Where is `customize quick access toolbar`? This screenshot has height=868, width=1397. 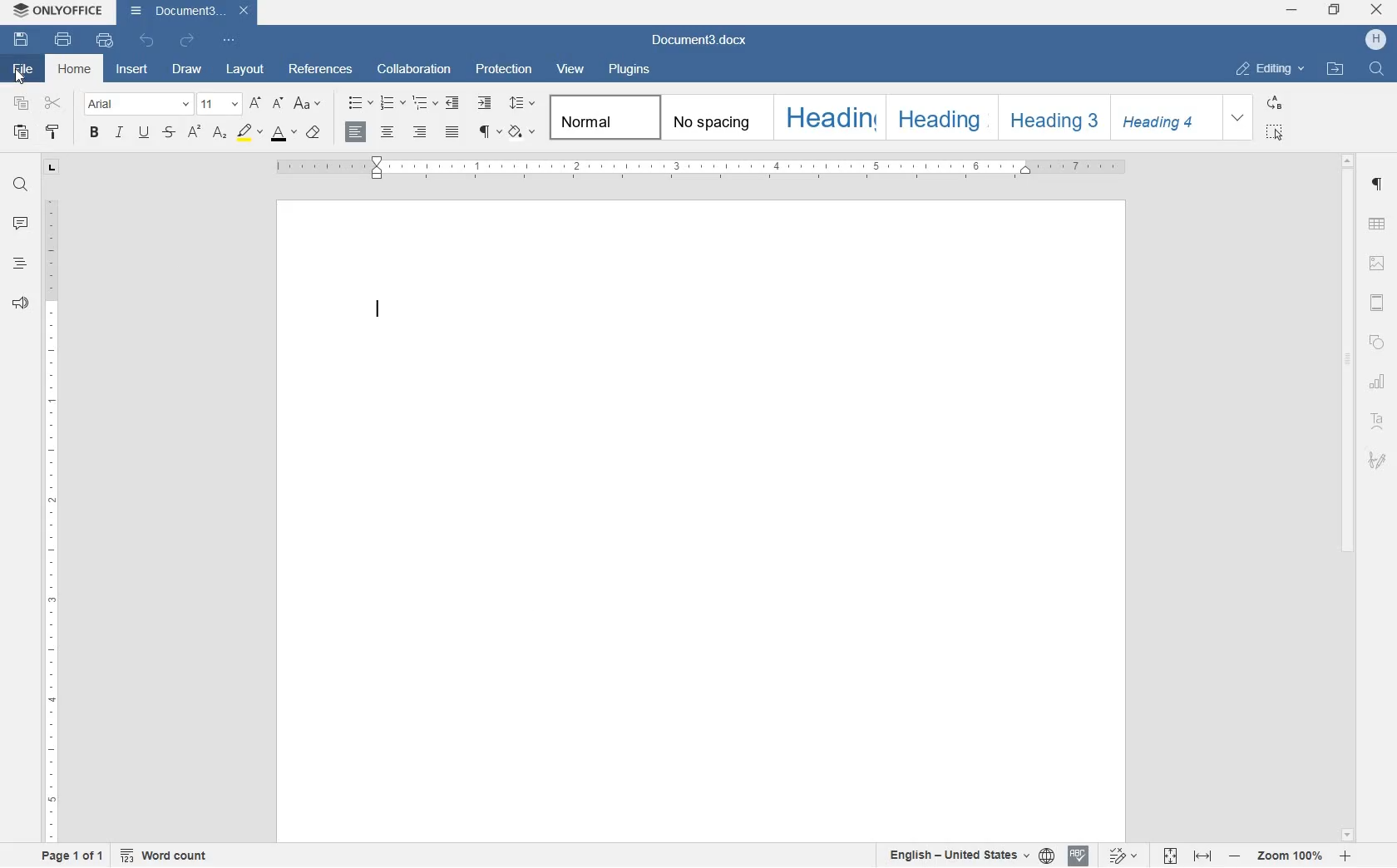 customize quick access toolbar is located at coordinates (230, 40).